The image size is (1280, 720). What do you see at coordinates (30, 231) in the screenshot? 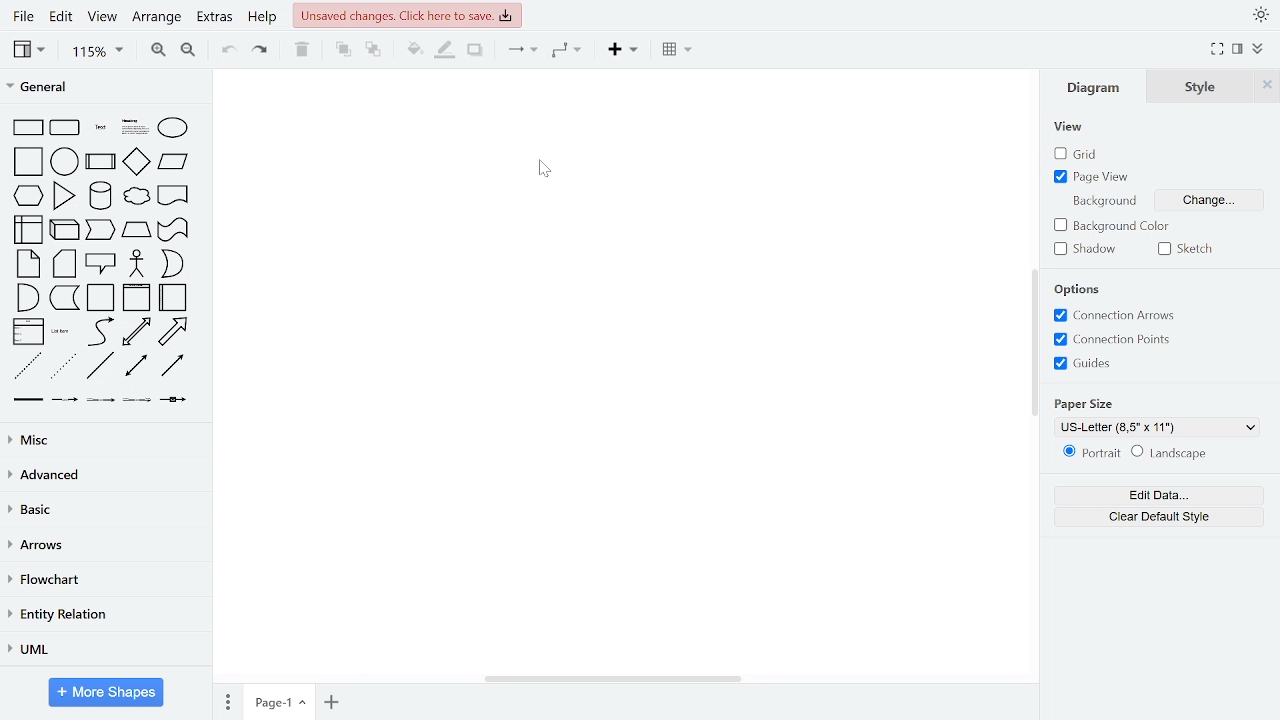
I see `internal storage` at bounding box center [30, 231].